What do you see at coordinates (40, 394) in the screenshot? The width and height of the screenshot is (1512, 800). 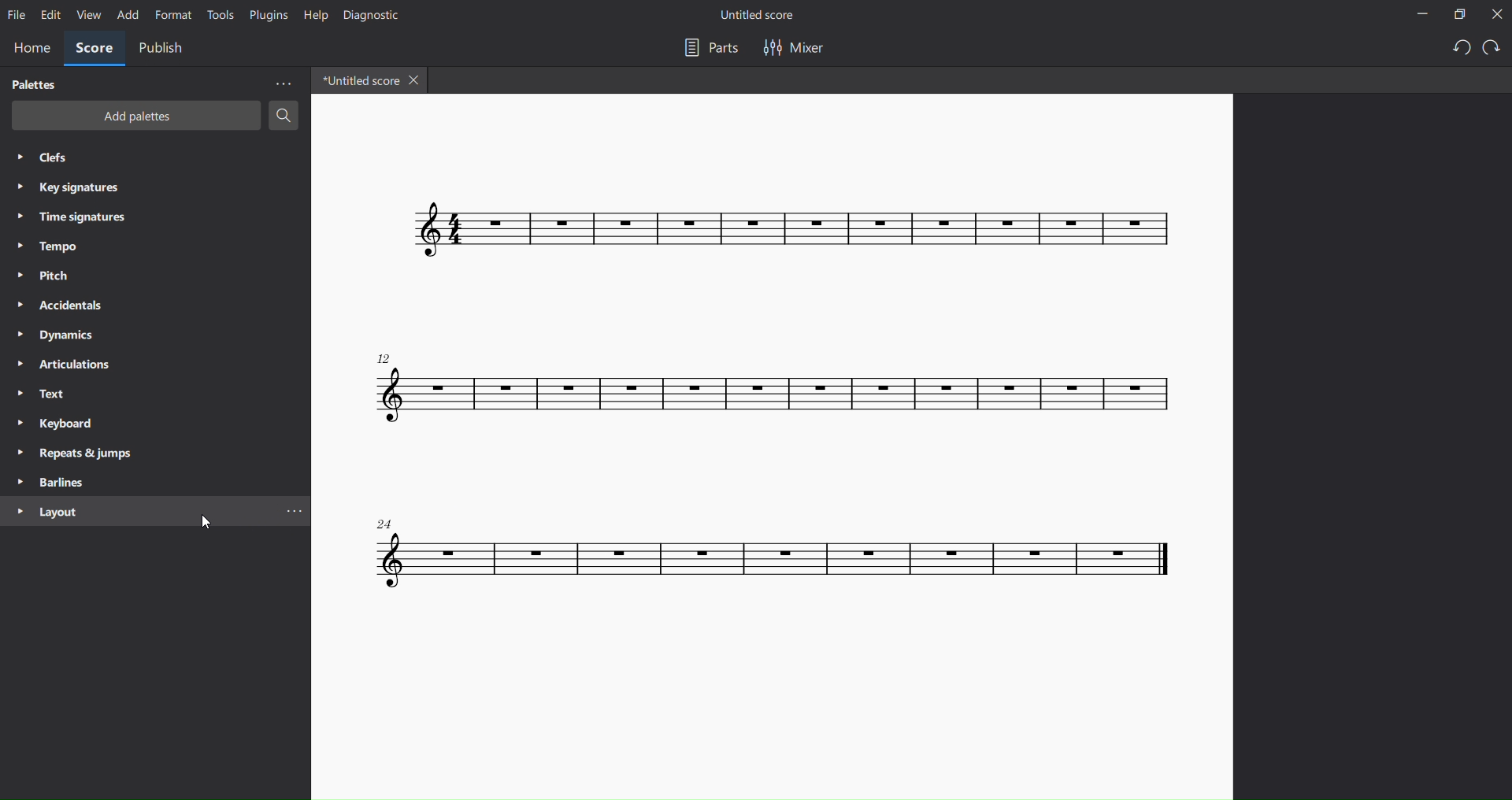 I see `text` at bounding box center [40, 394].